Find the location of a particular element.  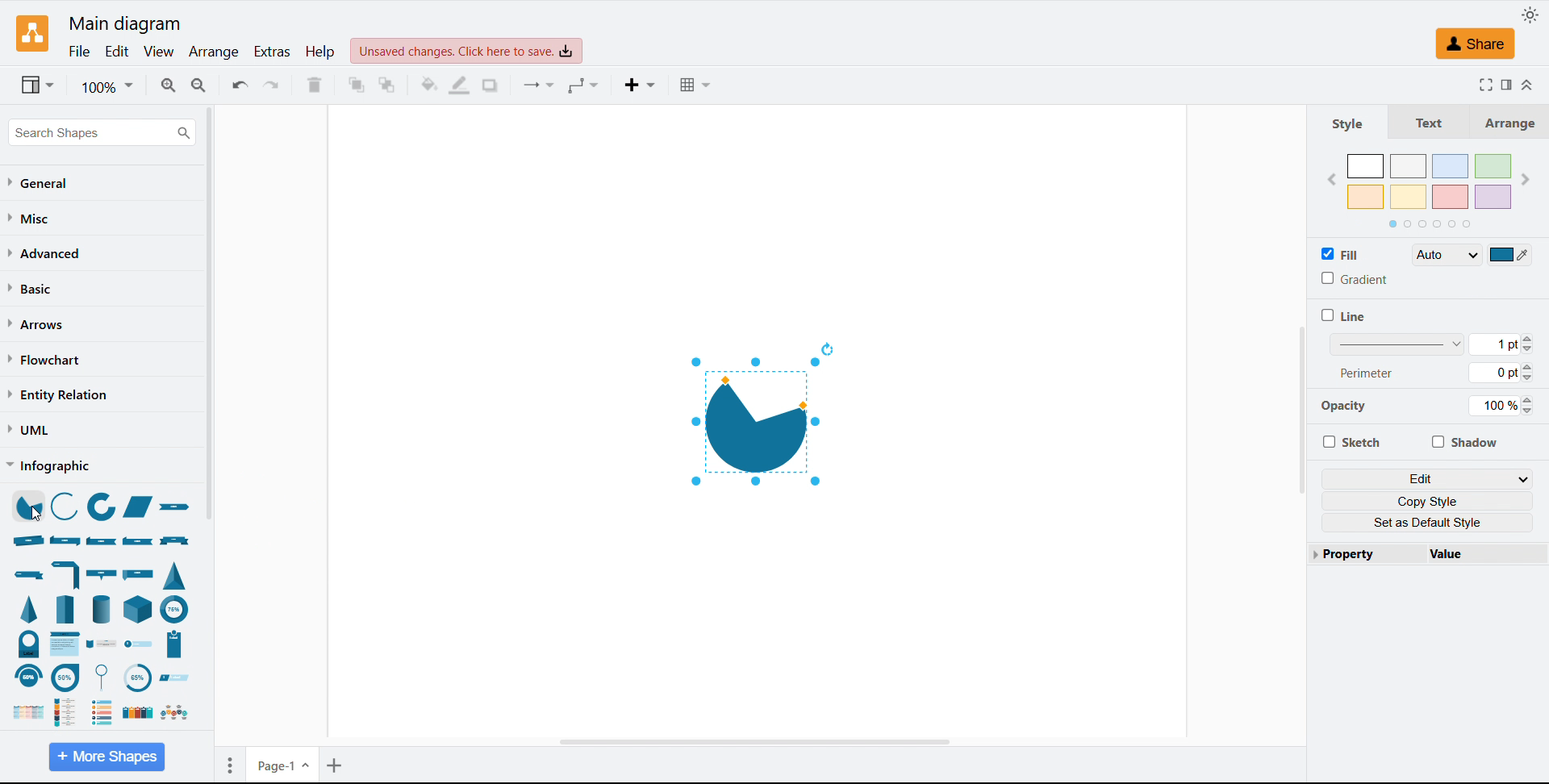

angled entry is located at coordinates (179, 678).